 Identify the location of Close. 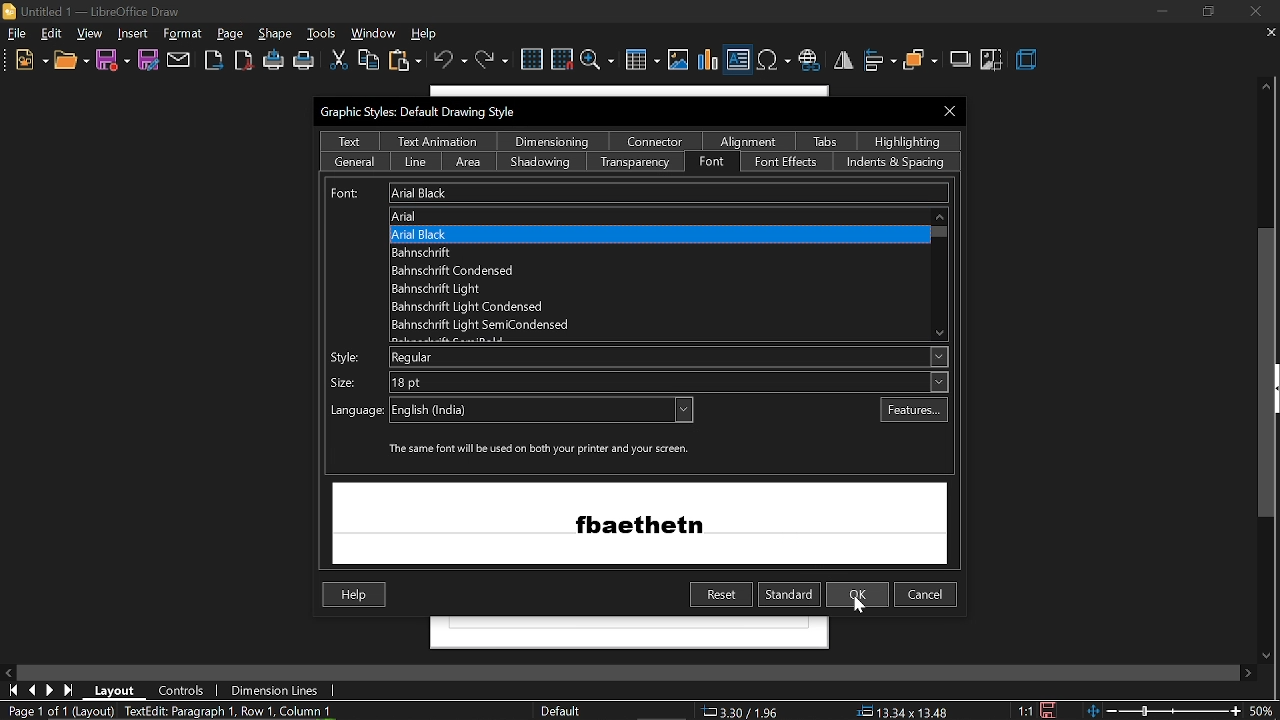
(951, 110).